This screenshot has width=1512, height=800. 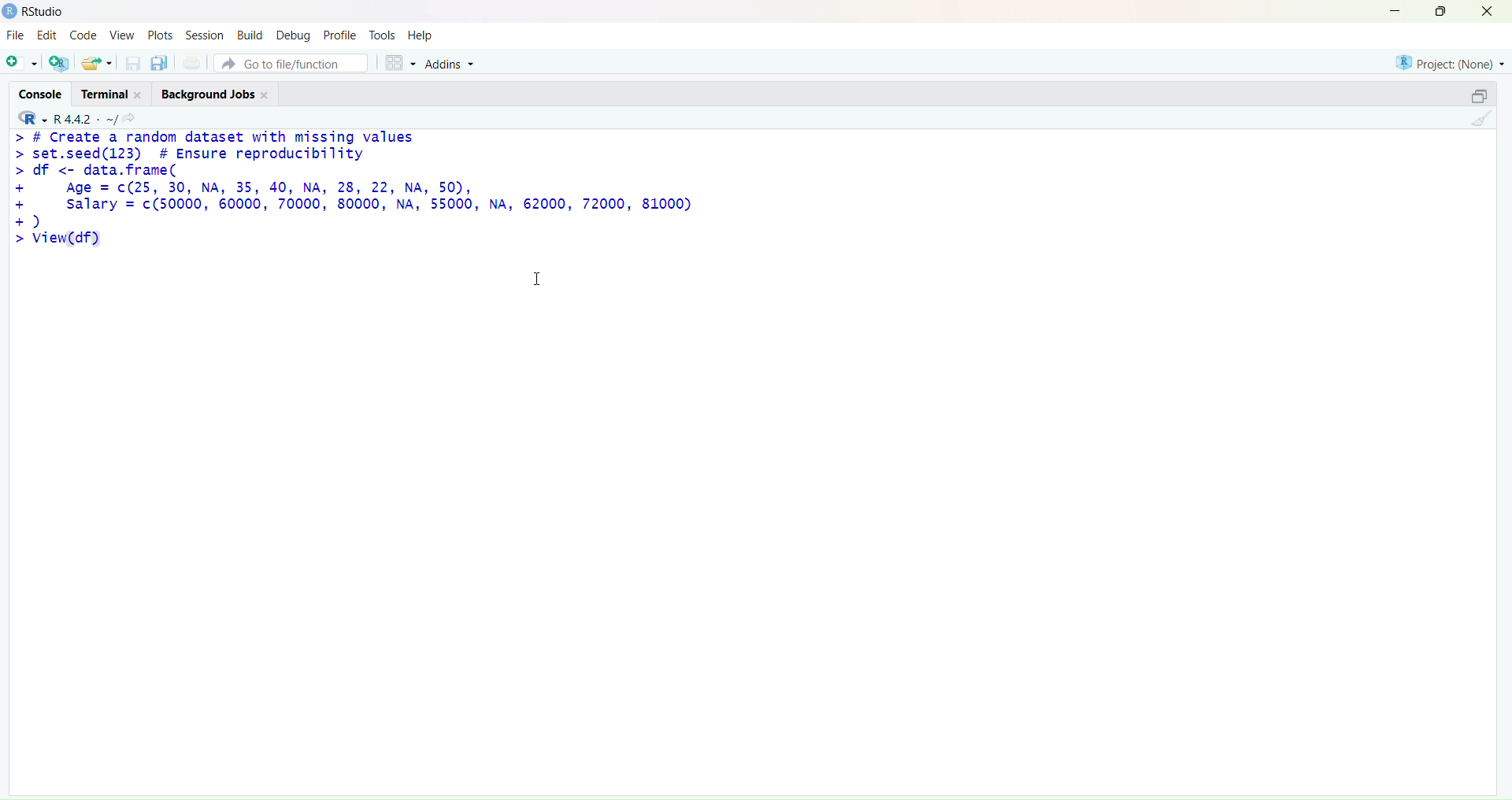 I want to click on close, so click(x=1485, y=13).